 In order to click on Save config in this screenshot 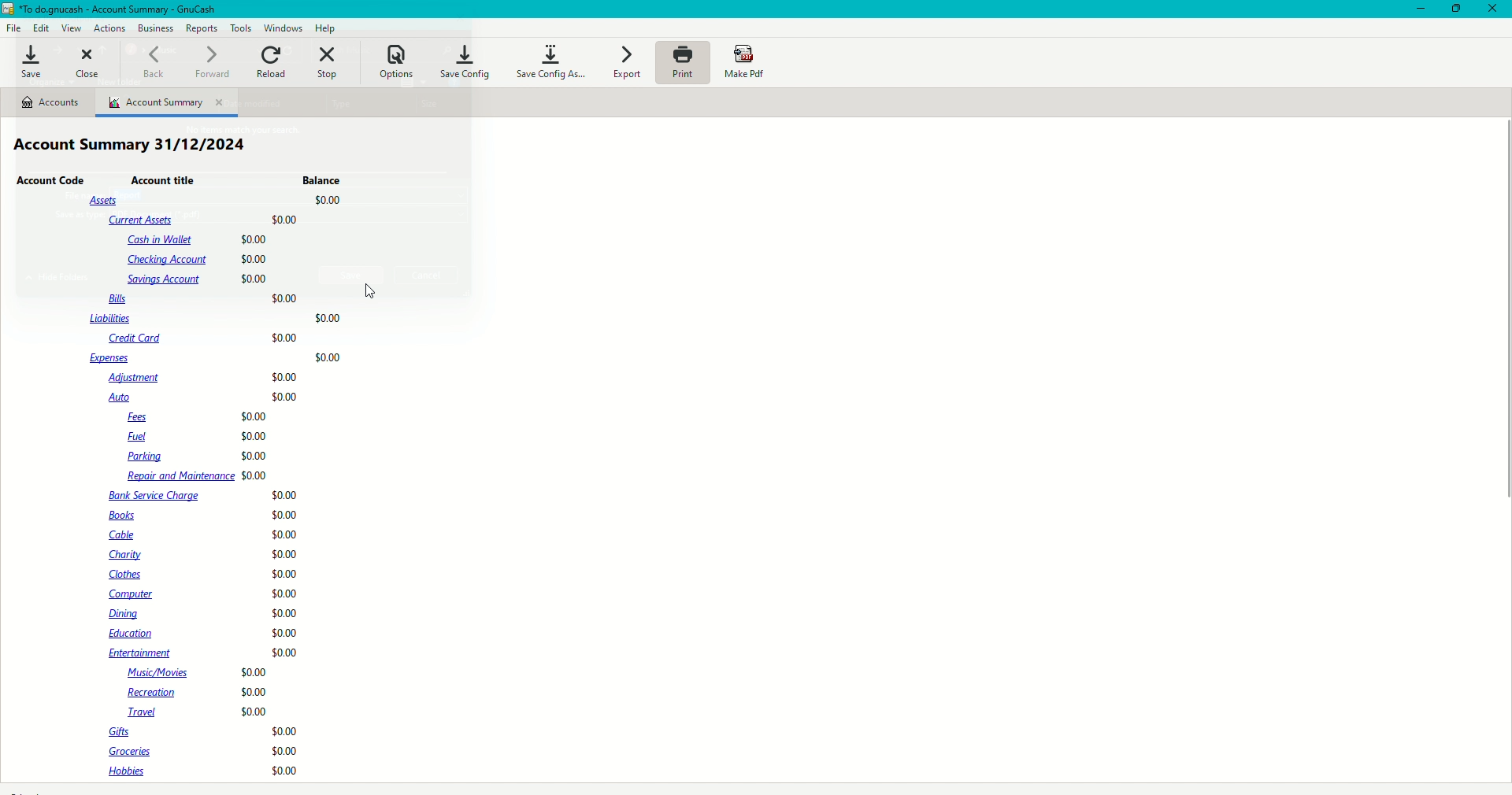, I will do `click(468, 61)`.